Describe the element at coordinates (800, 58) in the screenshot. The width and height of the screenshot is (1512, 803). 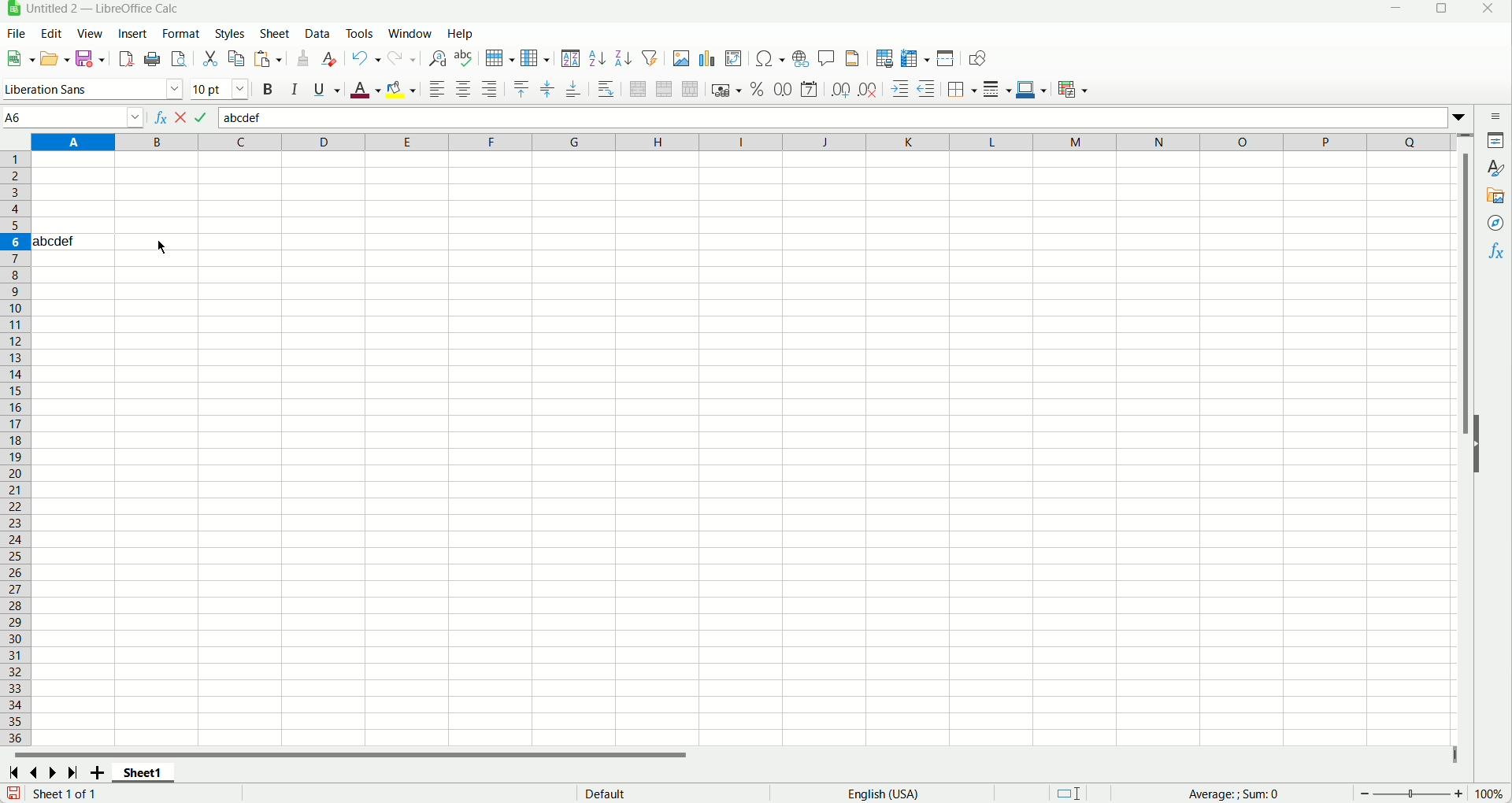
I see `insert hyperlink` at that location.